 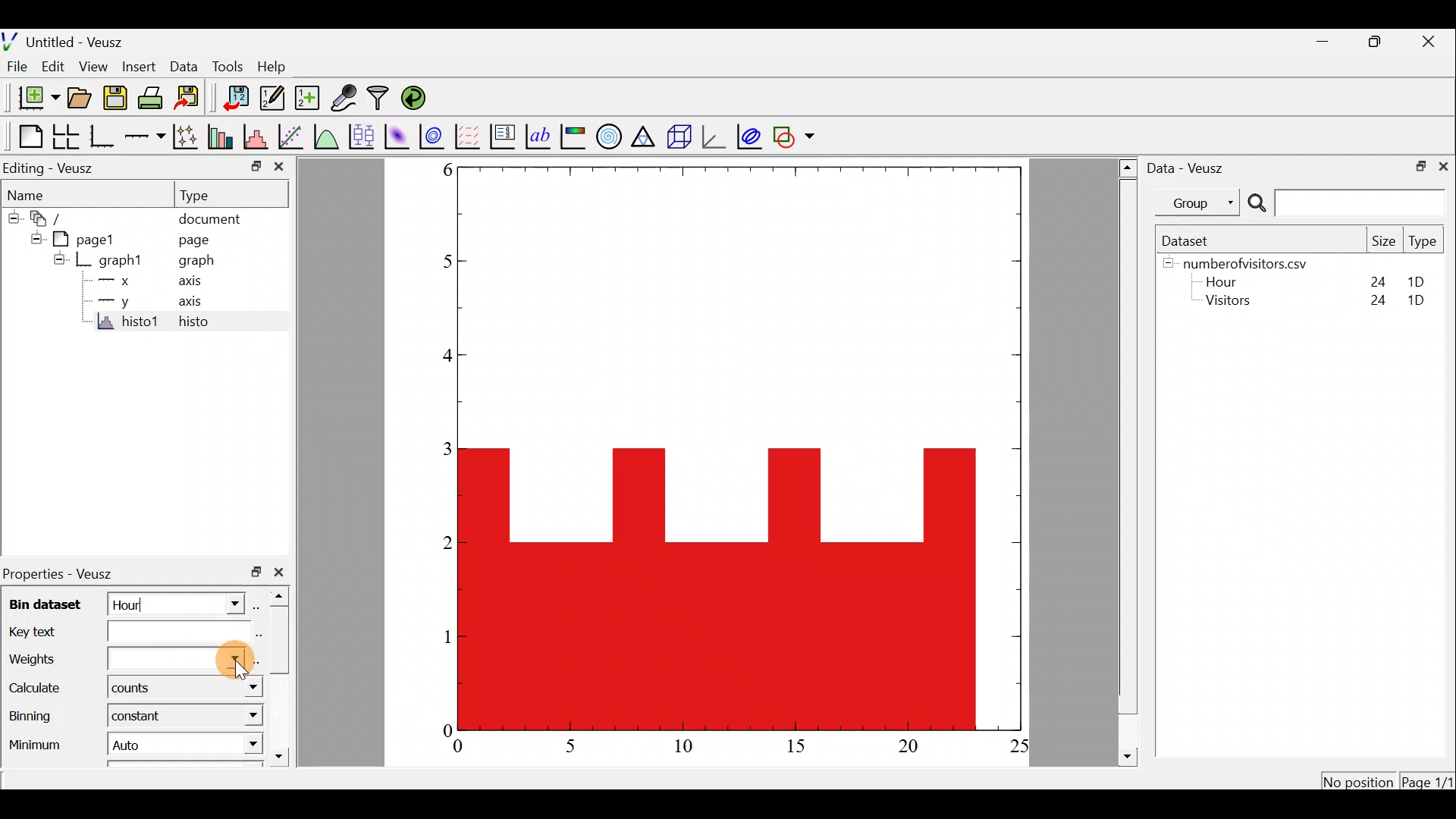 What do you see at coordinates (642, 138) in the screenshot?
I see `Ternary graph` at bounding box center [642, 138].